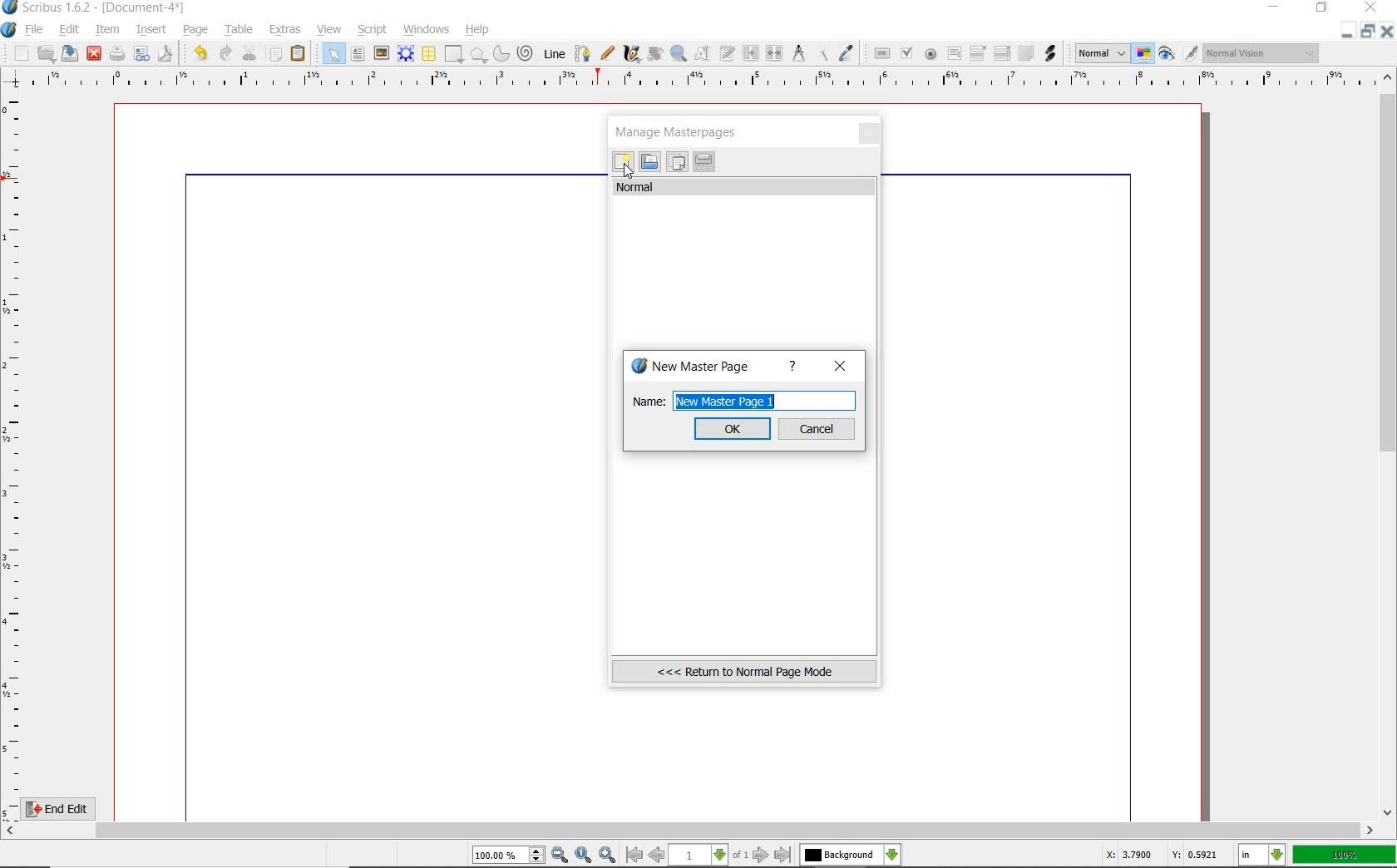 The width and height of the screenshot is (1397, 868). What do you see at coordinates (824, 52) in the screenshot?
I see `copy item properties` at bounding box center [824, 52].